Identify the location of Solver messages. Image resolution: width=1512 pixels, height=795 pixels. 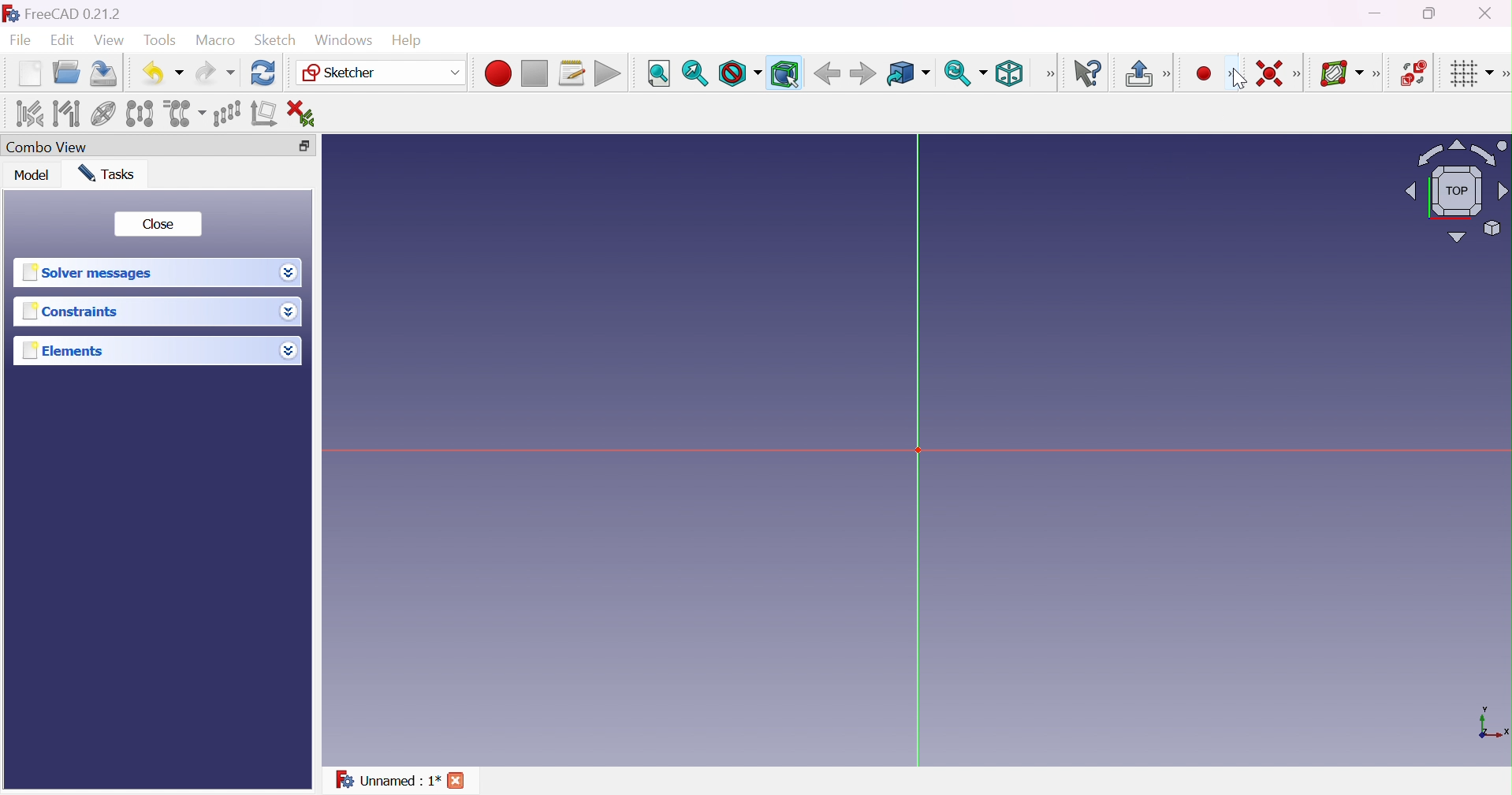
(92, 272).